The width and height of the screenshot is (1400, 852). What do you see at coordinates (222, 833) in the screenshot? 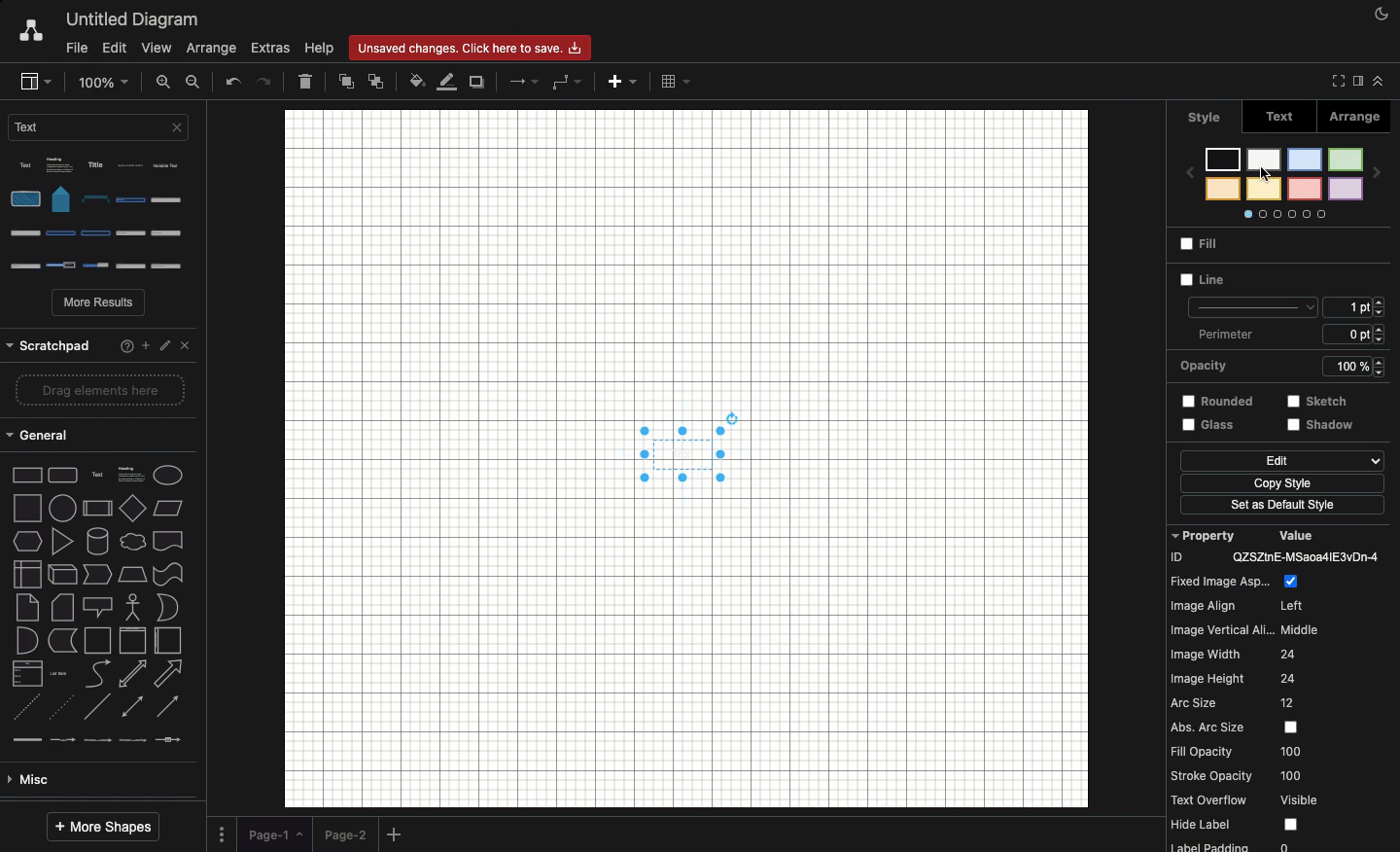
I see `Options` at bounding box center [222, 833].